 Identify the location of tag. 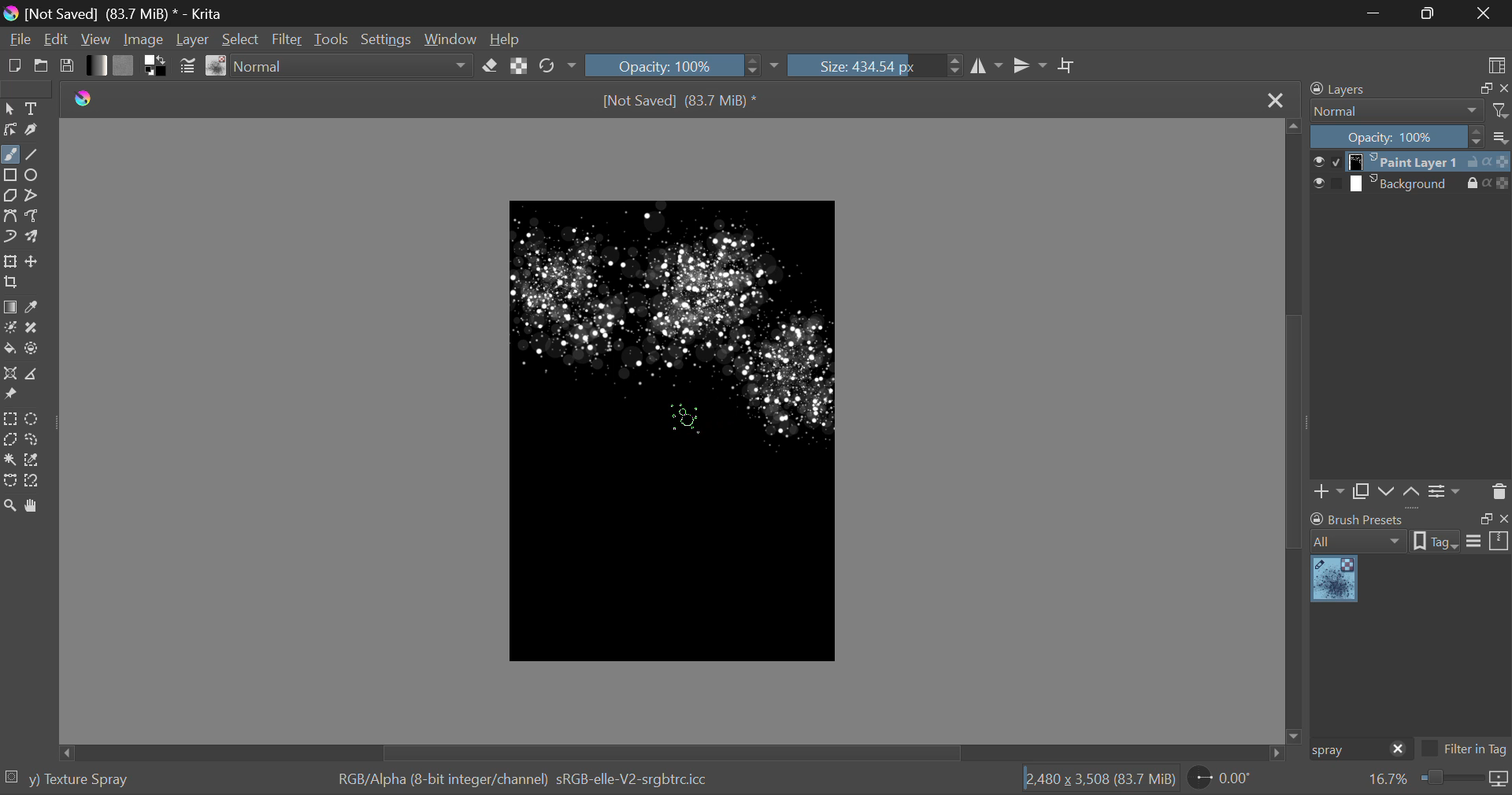
(1436, 543).